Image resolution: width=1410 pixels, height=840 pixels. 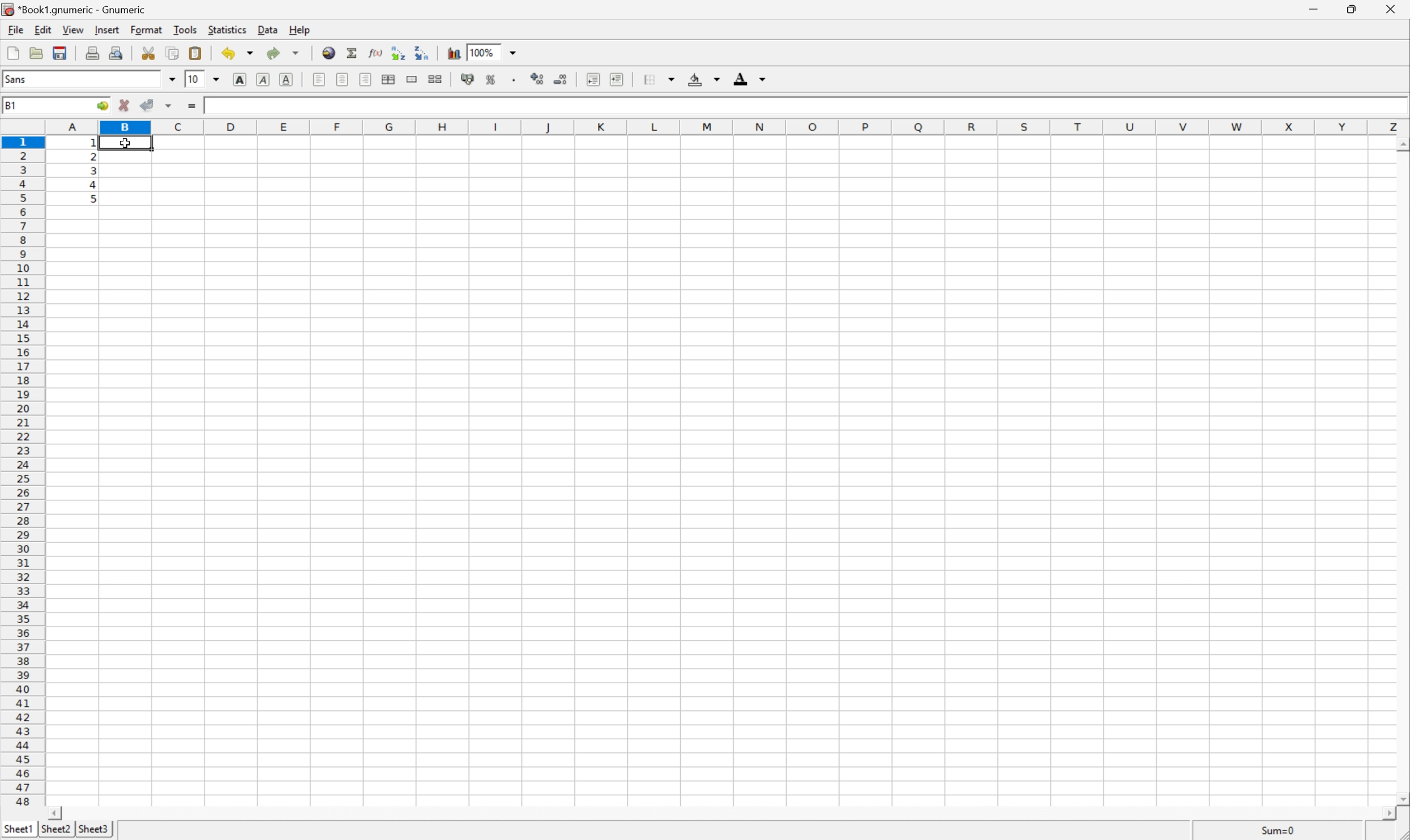 What do you see at coordinates (78, 10) in the screenshot?
I see `*Book1.gnumeric - Gnumeric` at bounding box center [78, 10].